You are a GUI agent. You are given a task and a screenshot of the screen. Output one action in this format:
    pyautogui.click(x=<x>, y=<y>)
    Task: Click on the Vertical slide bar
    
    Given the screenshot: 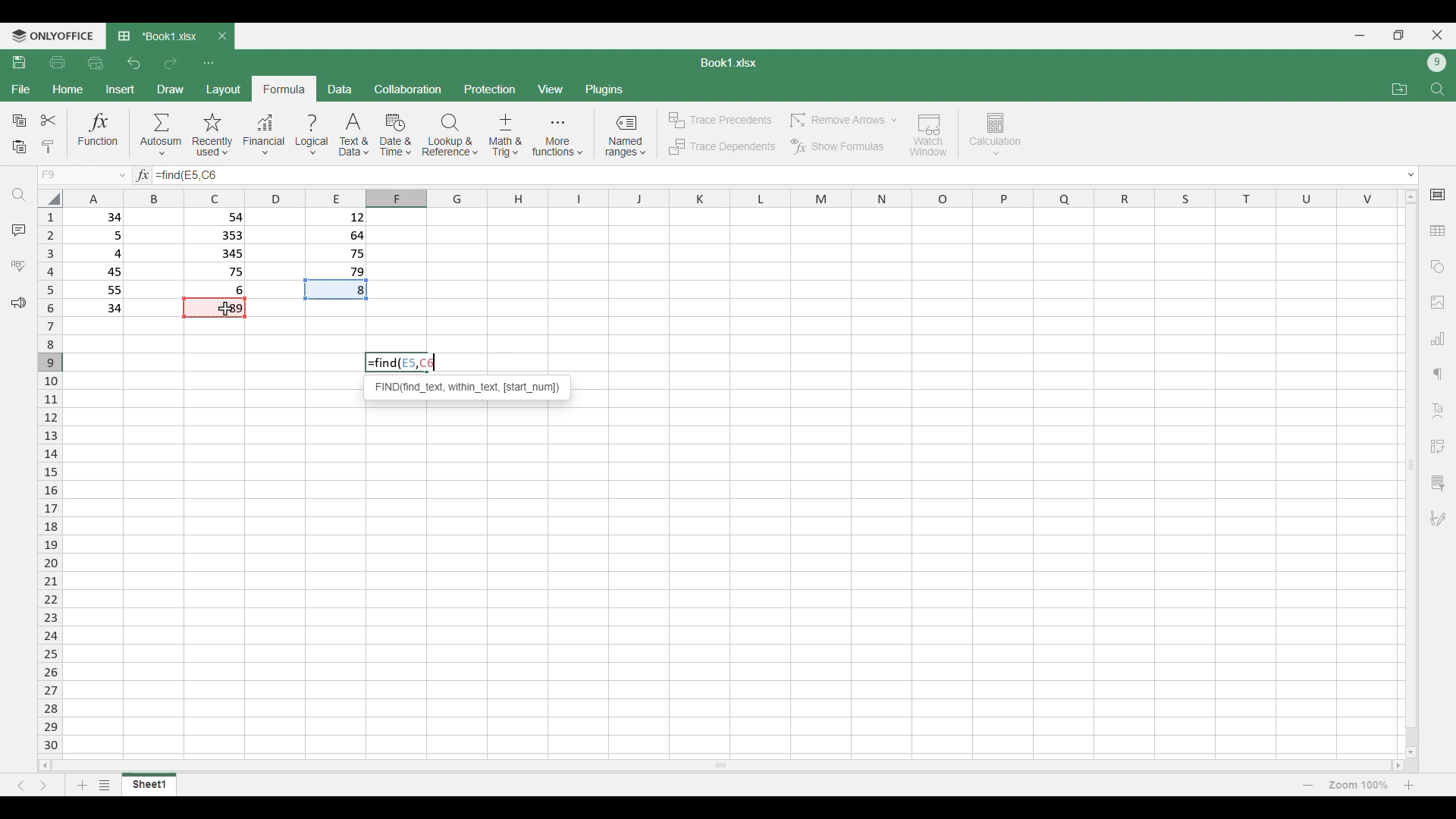 What is the action you would take?
    pyautogui.click(x=1412, y=474)
    